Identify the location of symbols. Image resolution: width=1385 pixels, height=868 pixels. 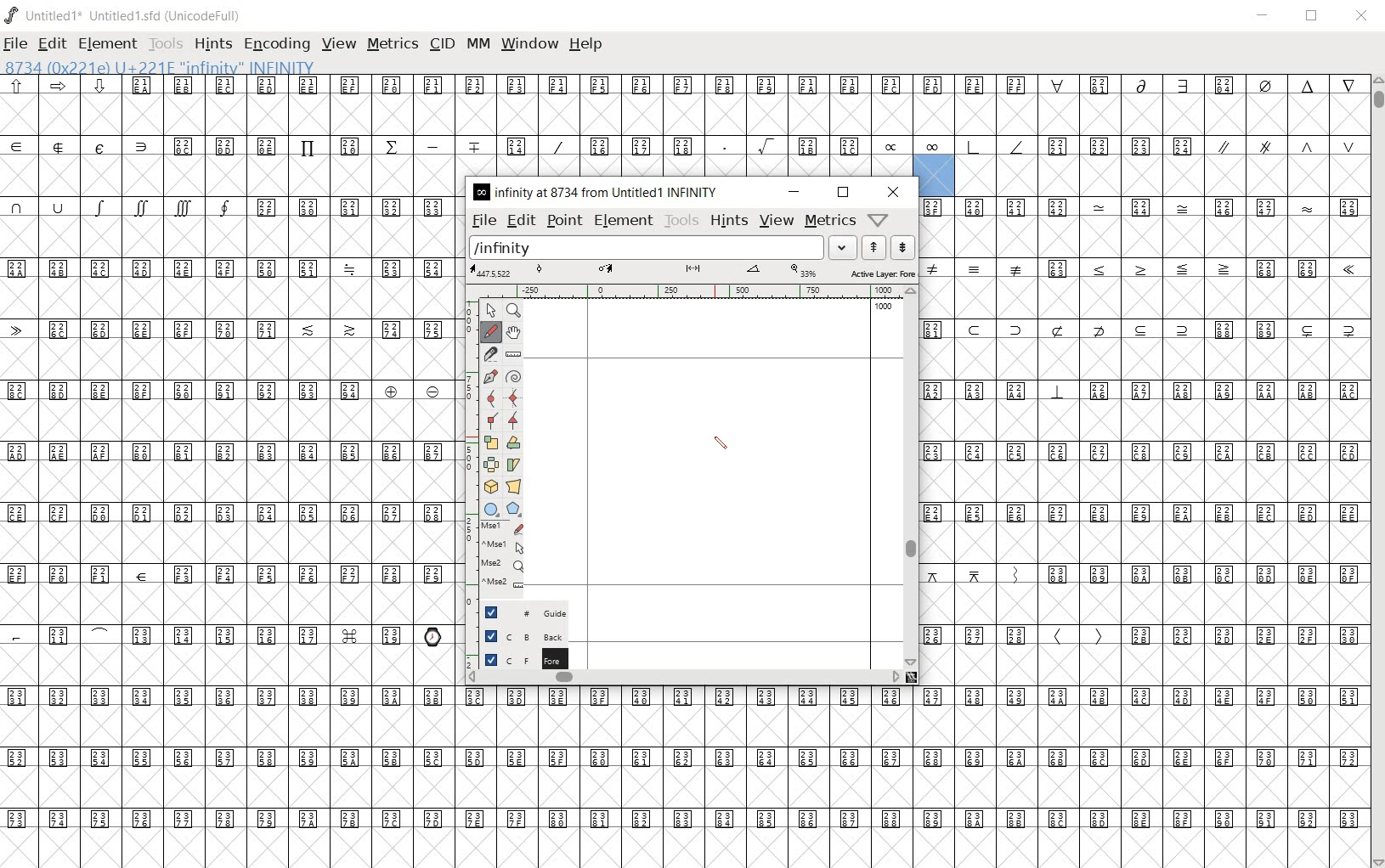
(1286, 144).